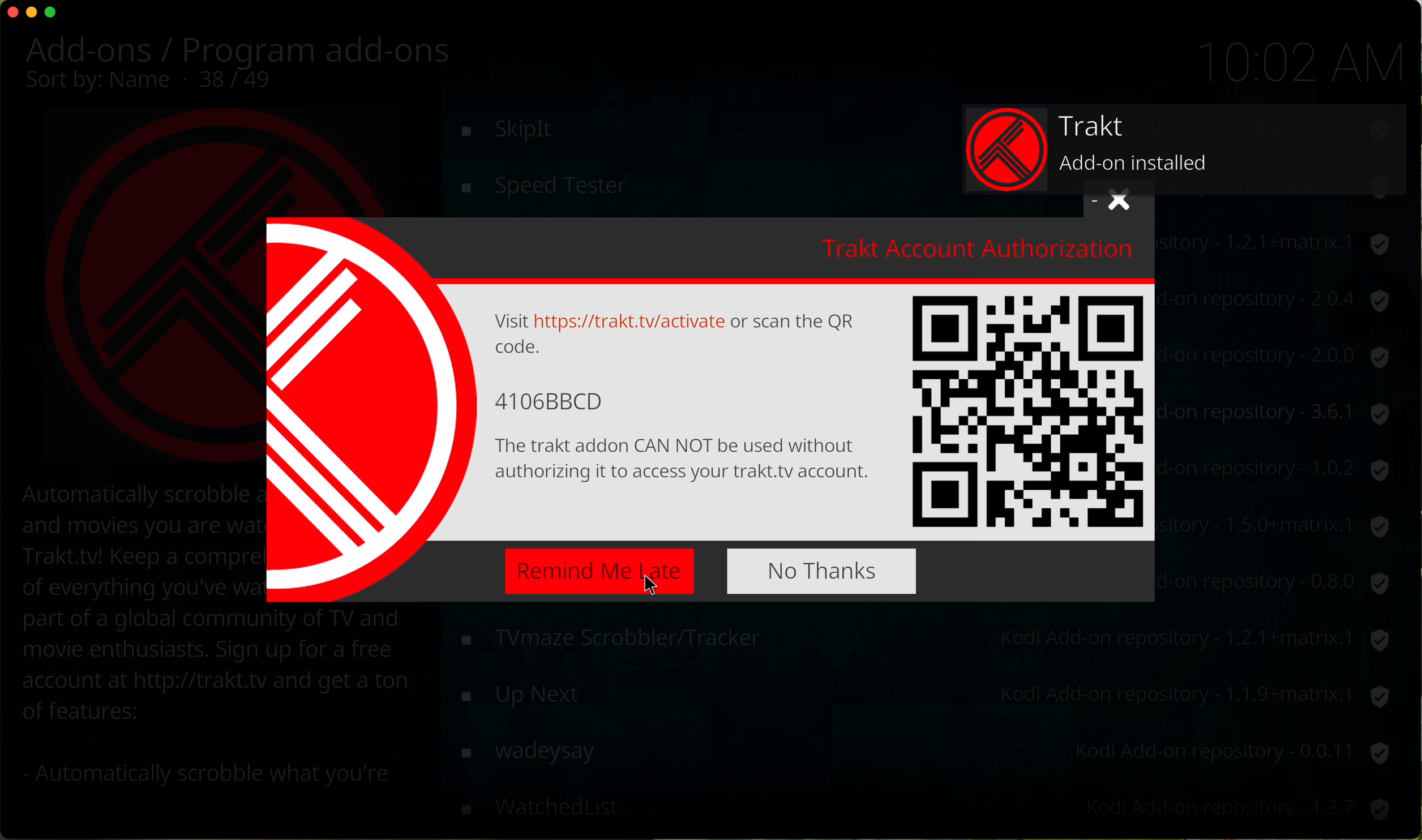 The image size is (1422, 840). What do you see at coordinates (371, 406) in the screenshot?
I see `Trakt image` at bounding box center [371, 406].